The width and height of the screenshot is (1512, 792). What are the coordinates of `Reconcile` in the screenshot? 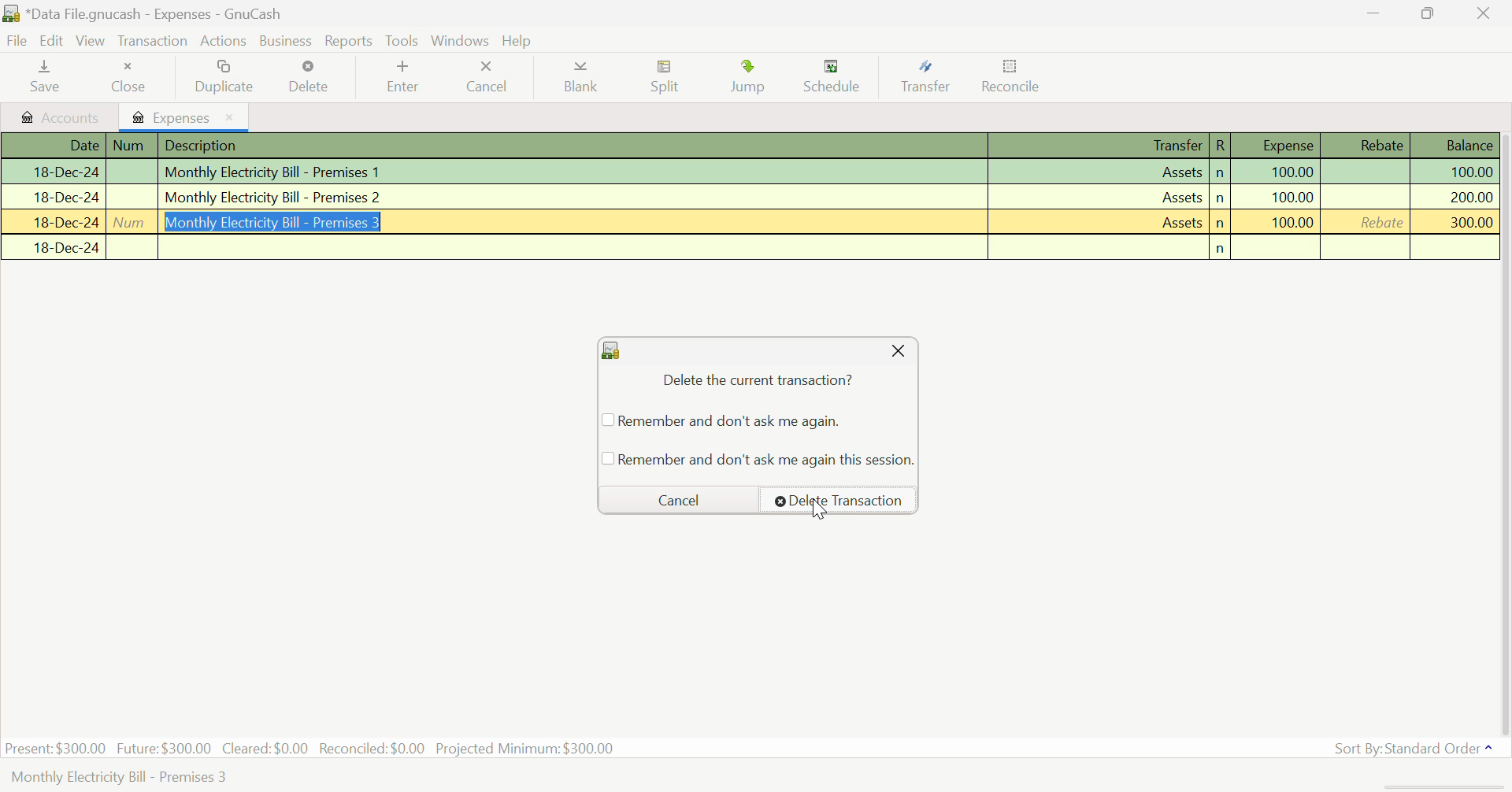 It's located at (1010, 80).